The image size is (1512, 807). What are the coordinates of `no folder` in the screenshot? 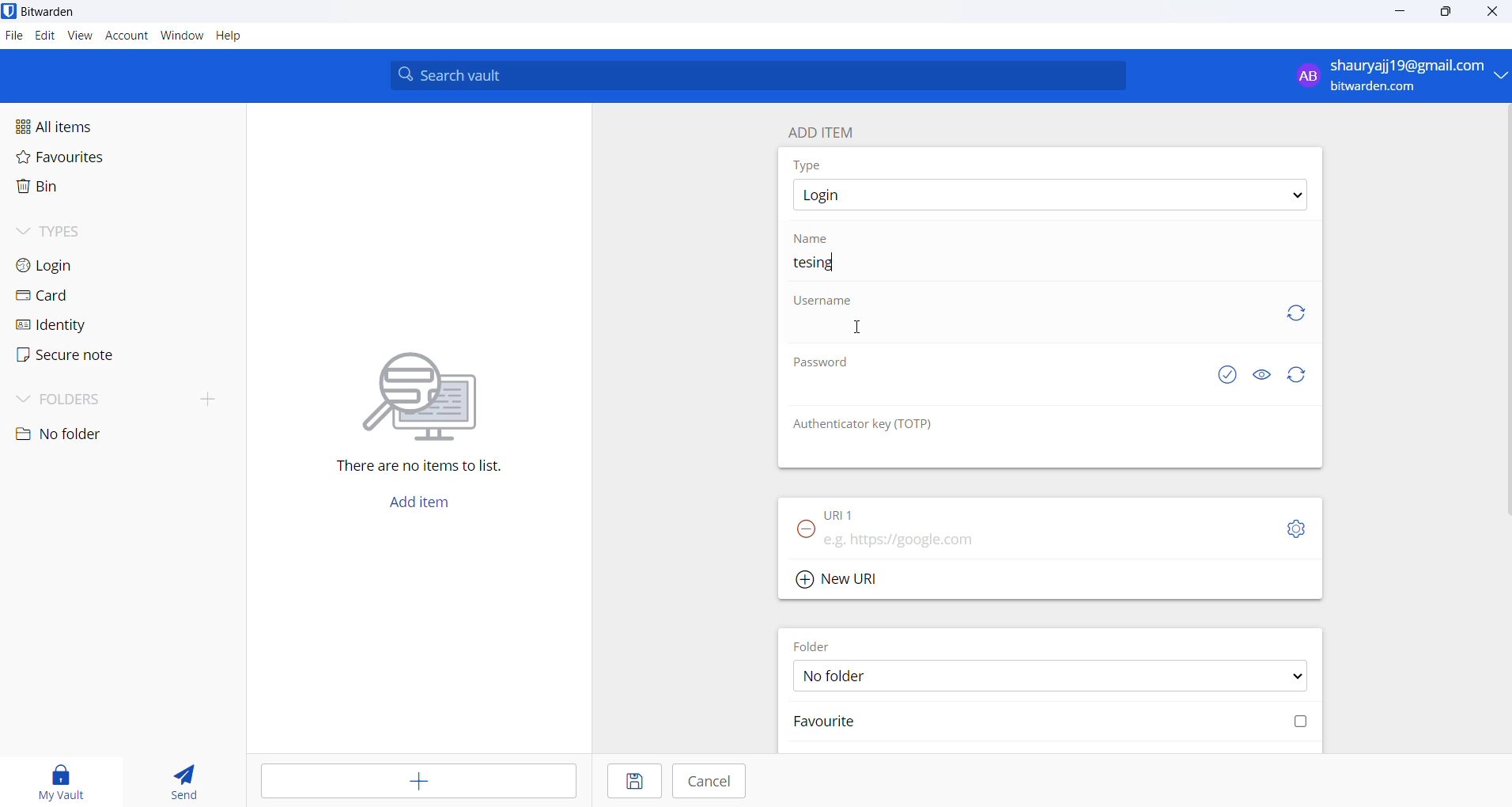 It's located at (108, 434).